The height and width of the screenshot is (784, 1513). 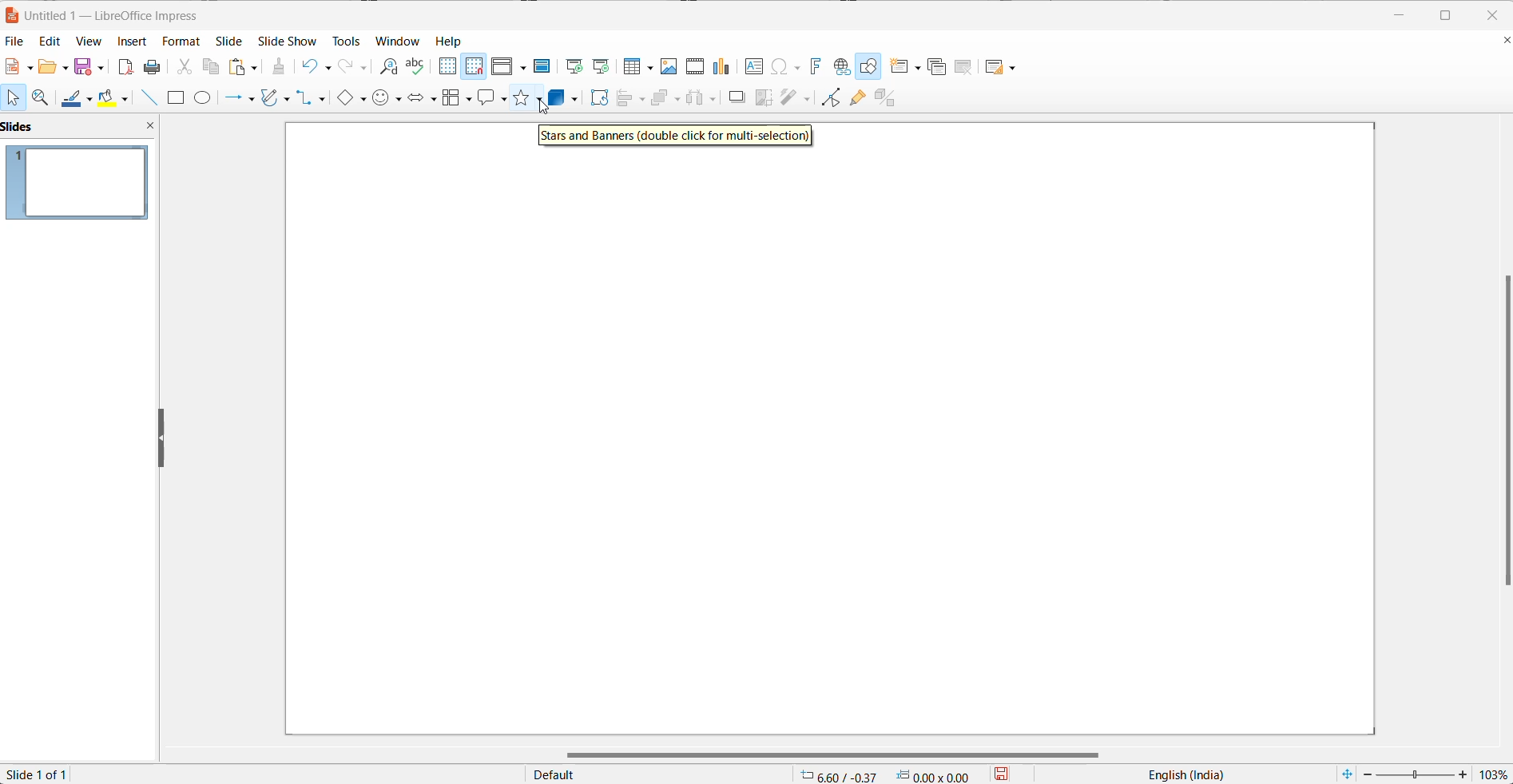 What do you see at coordinates (84, 42) in the screenshot?
I see `view ` at bounding box center [84, 42].